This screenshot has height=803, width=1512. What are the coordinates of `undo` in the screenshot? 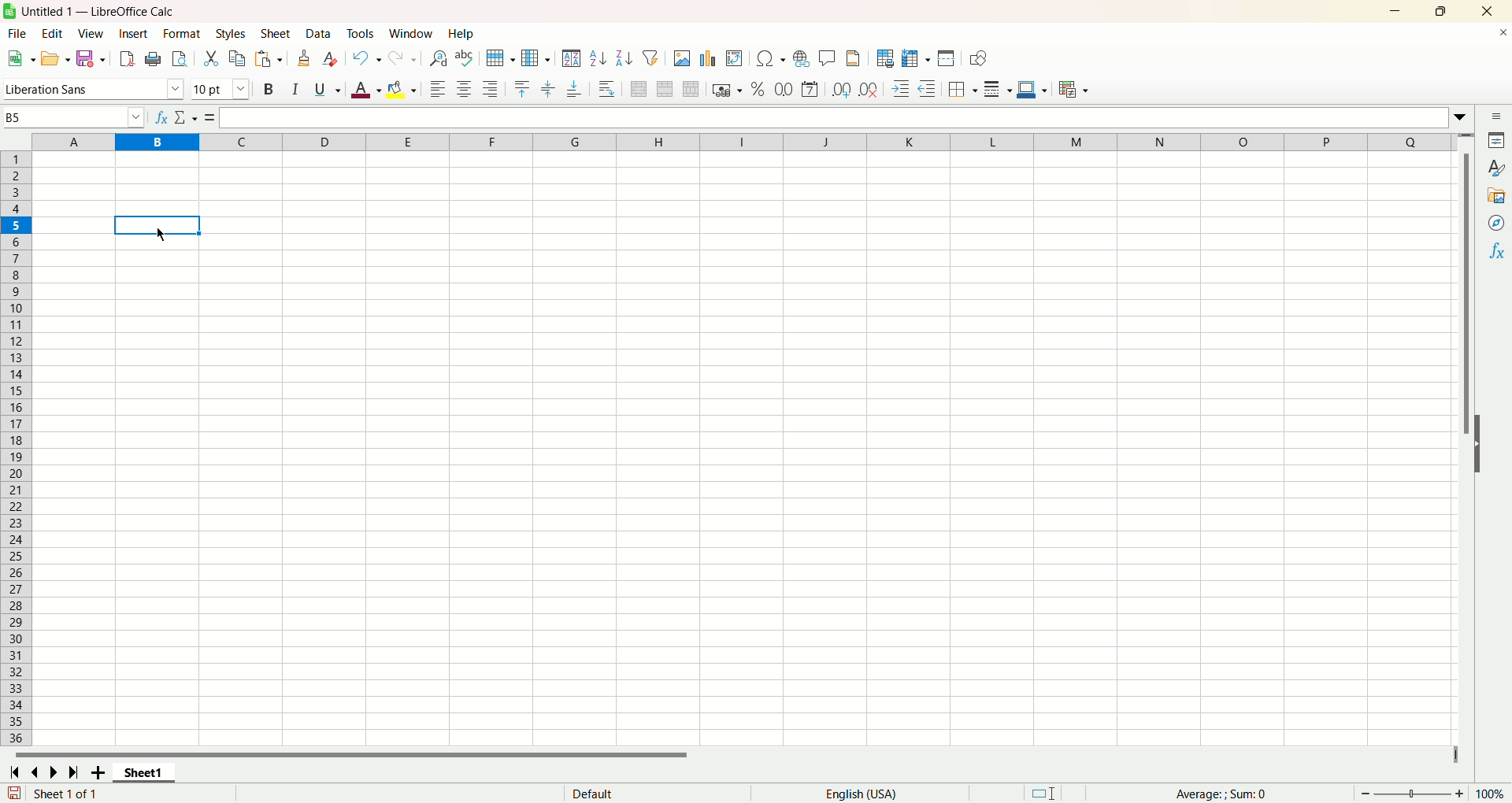 It's located at (365, 58).